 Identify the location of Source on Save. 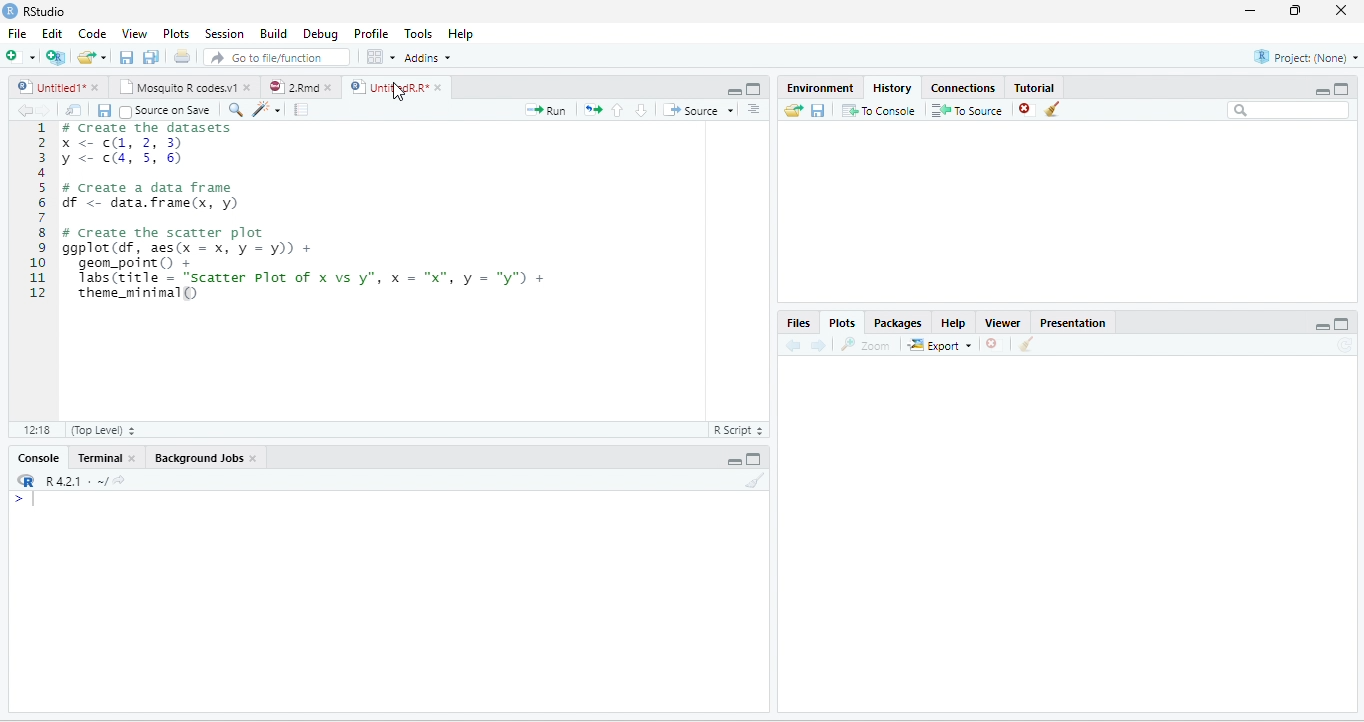
(166, 112).